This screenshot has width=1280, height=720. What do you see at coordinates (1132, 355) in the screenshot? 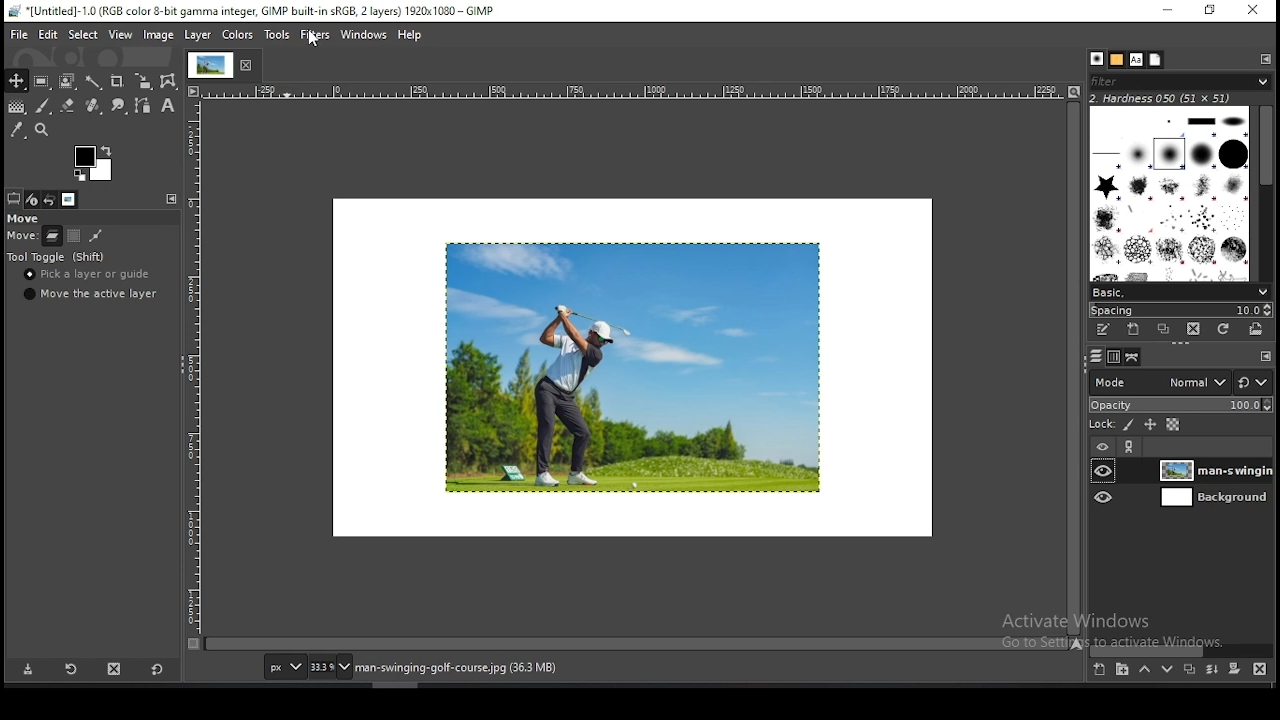
I see `paths` at bounding box center [1132, 355].